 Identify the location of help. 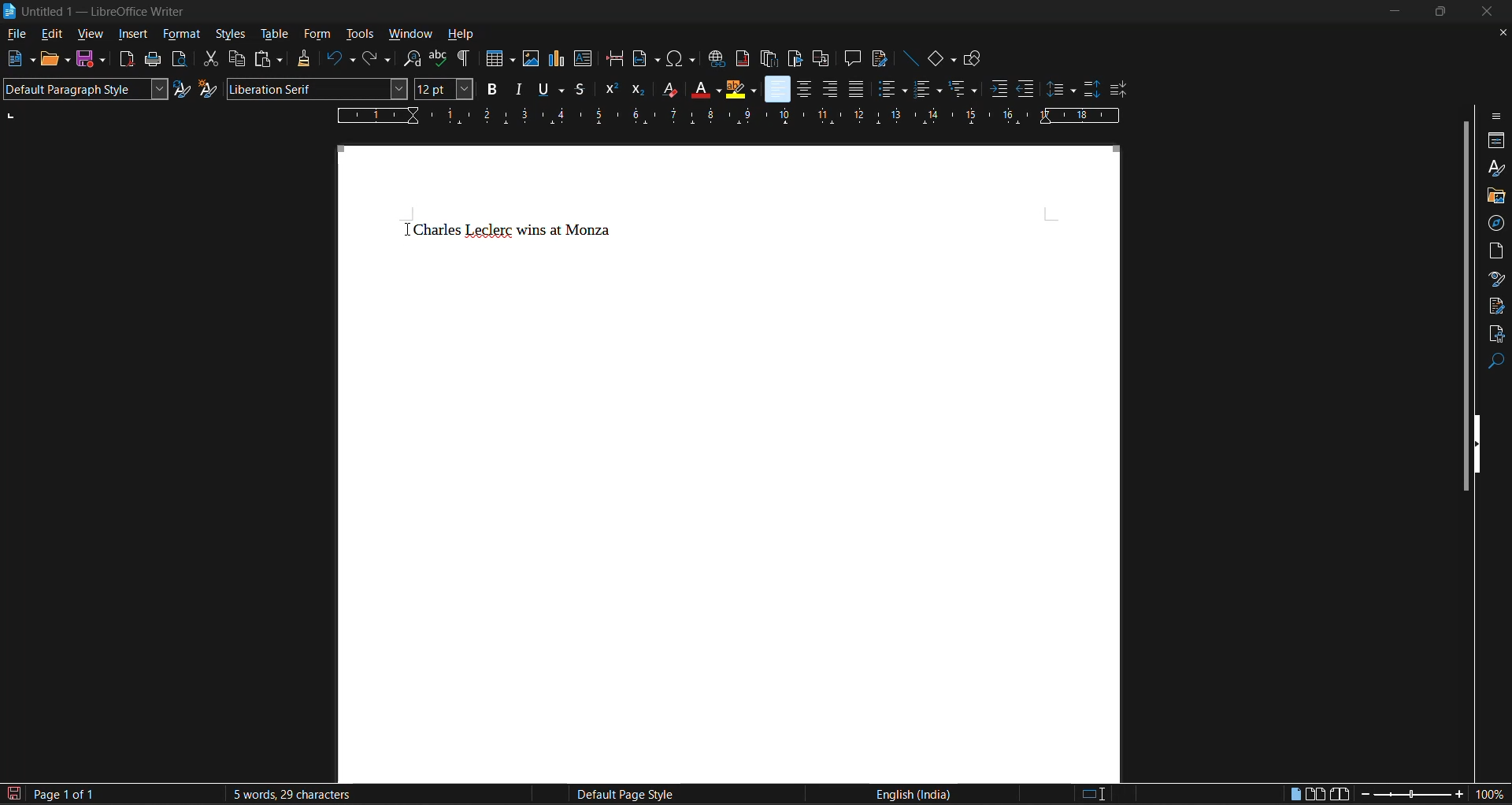
(463, 33).